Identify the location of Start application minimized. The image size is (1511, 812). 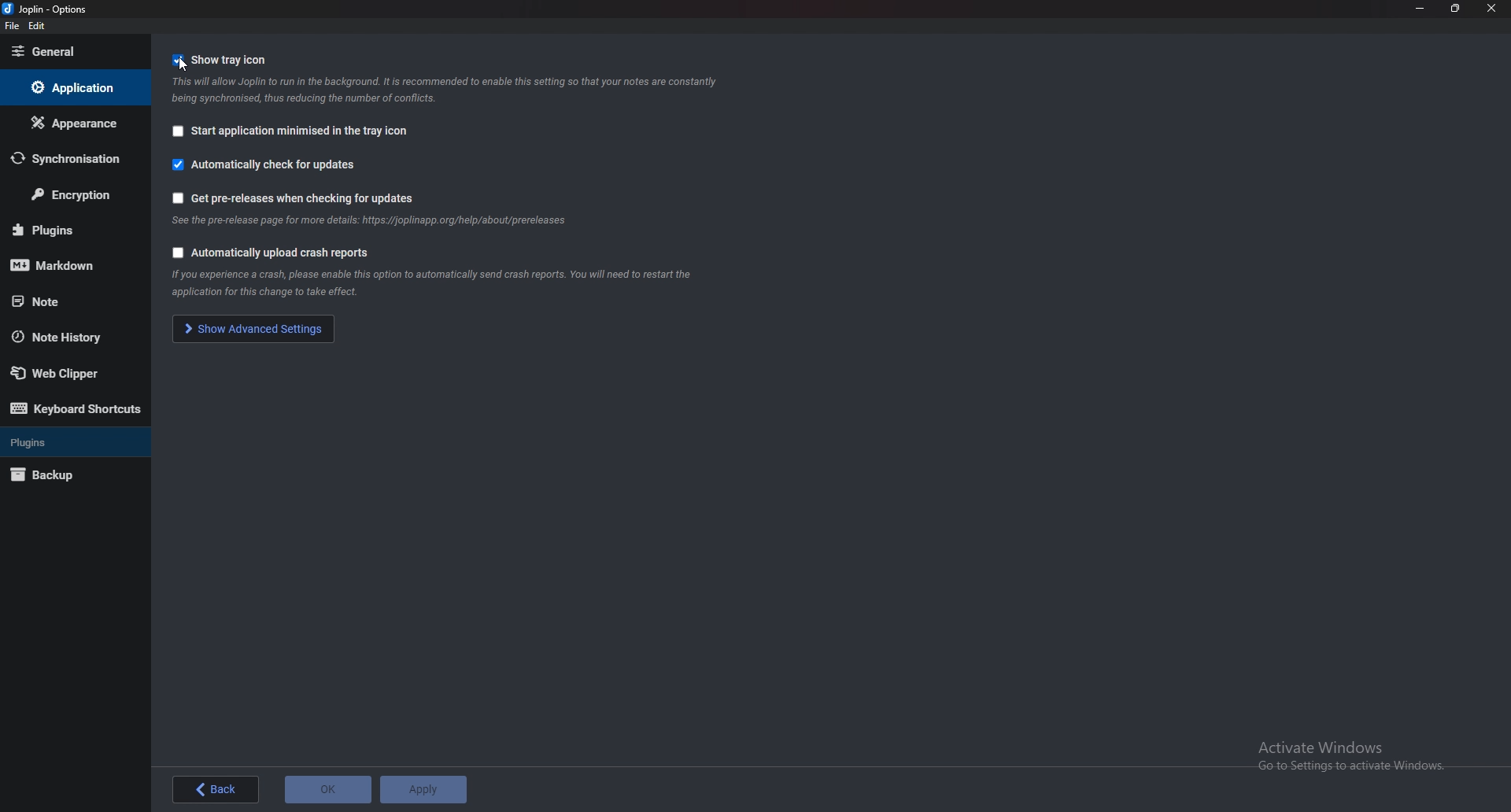
(301, 132).